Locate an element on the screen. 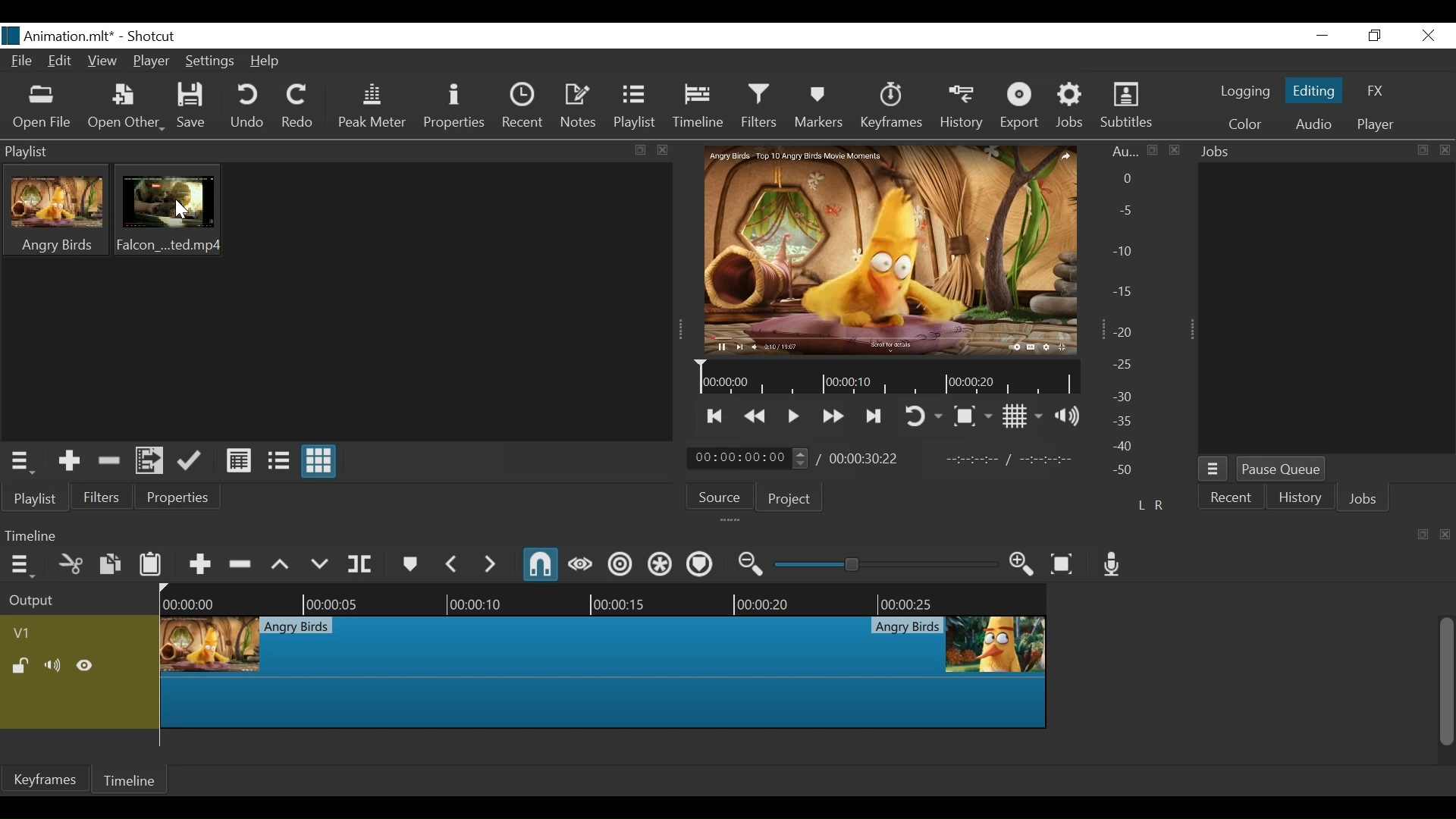 The width and height of the screenshot is (1456, 819). View as Icon is located at coordinates (320, 461).